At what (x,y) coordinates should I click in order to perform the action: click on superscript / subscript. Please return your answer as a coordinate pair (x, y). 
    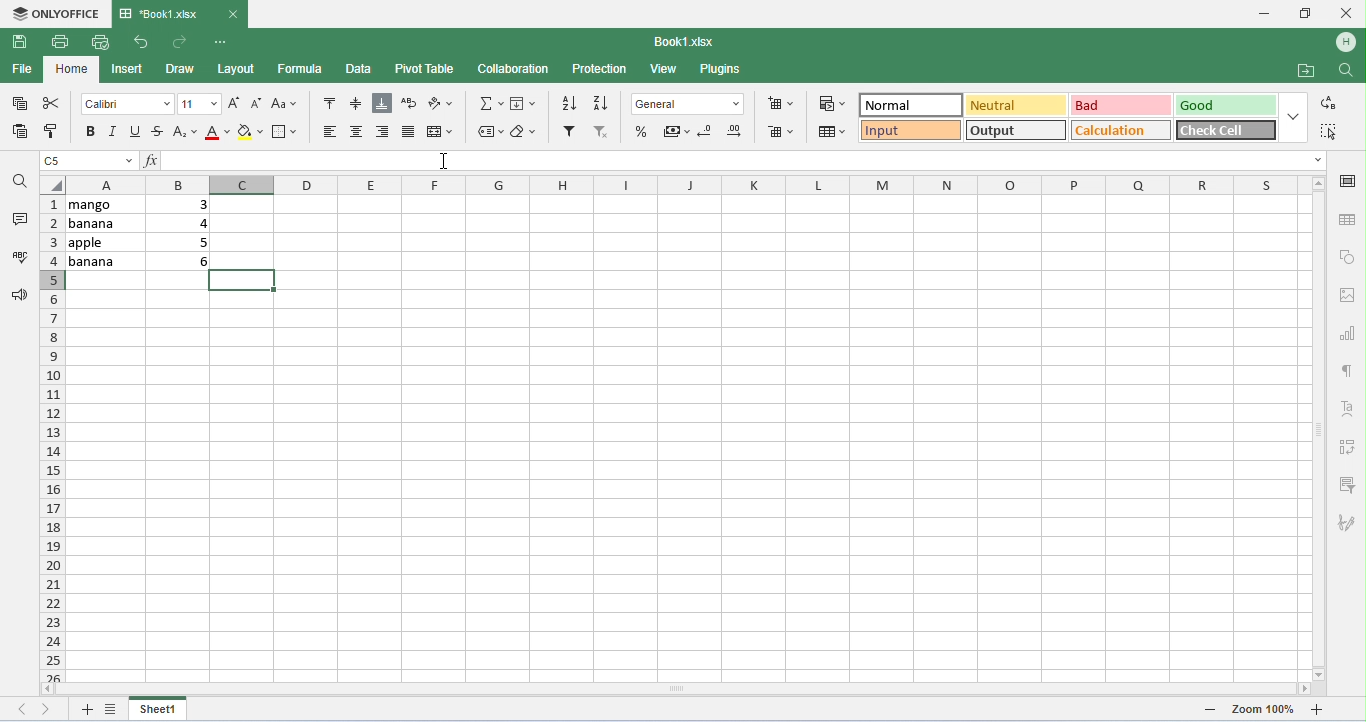
    Looking at the image, I should click on (185, 134).